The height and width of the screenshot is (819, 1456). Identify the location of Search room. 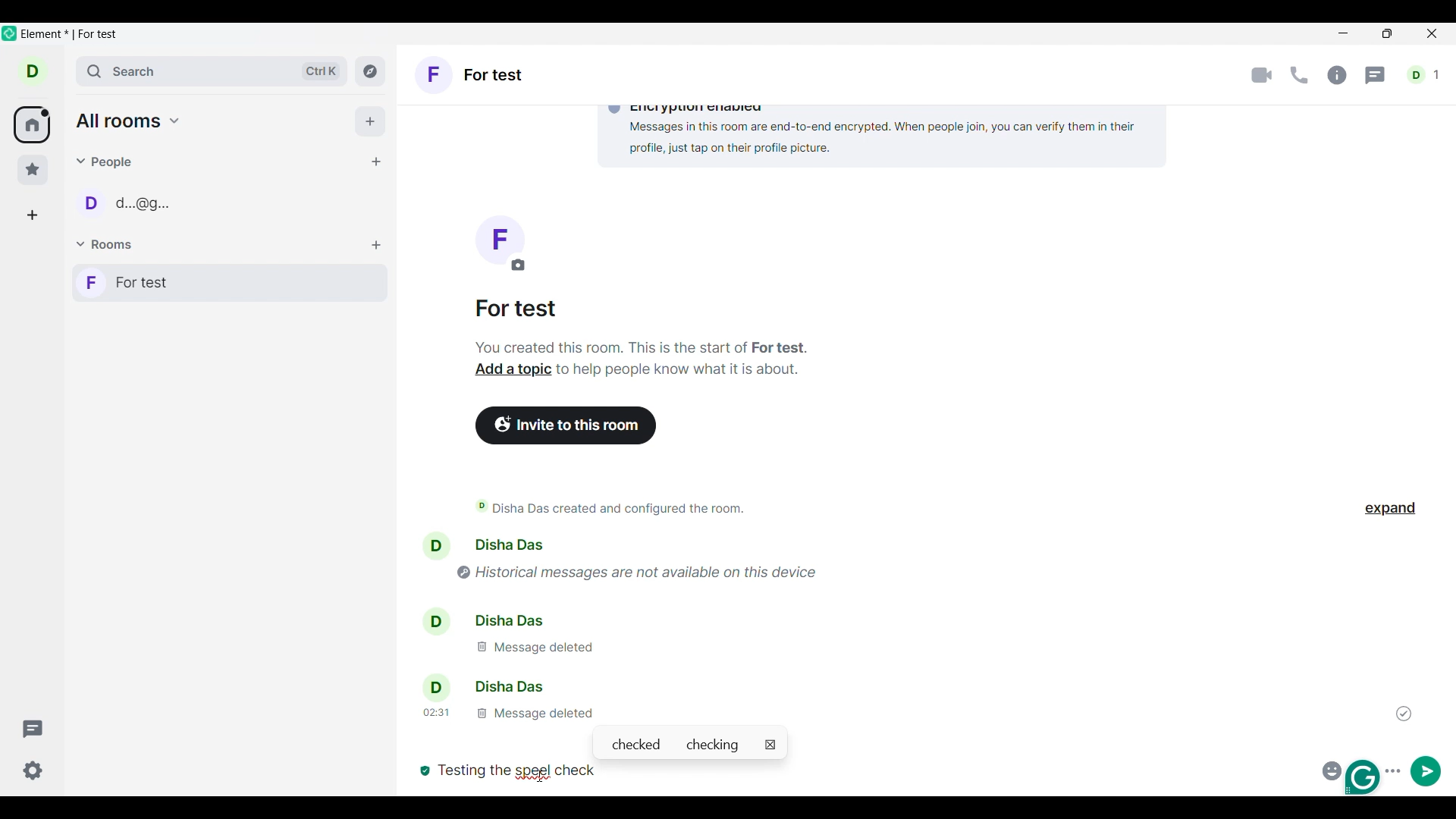
(213, 71).